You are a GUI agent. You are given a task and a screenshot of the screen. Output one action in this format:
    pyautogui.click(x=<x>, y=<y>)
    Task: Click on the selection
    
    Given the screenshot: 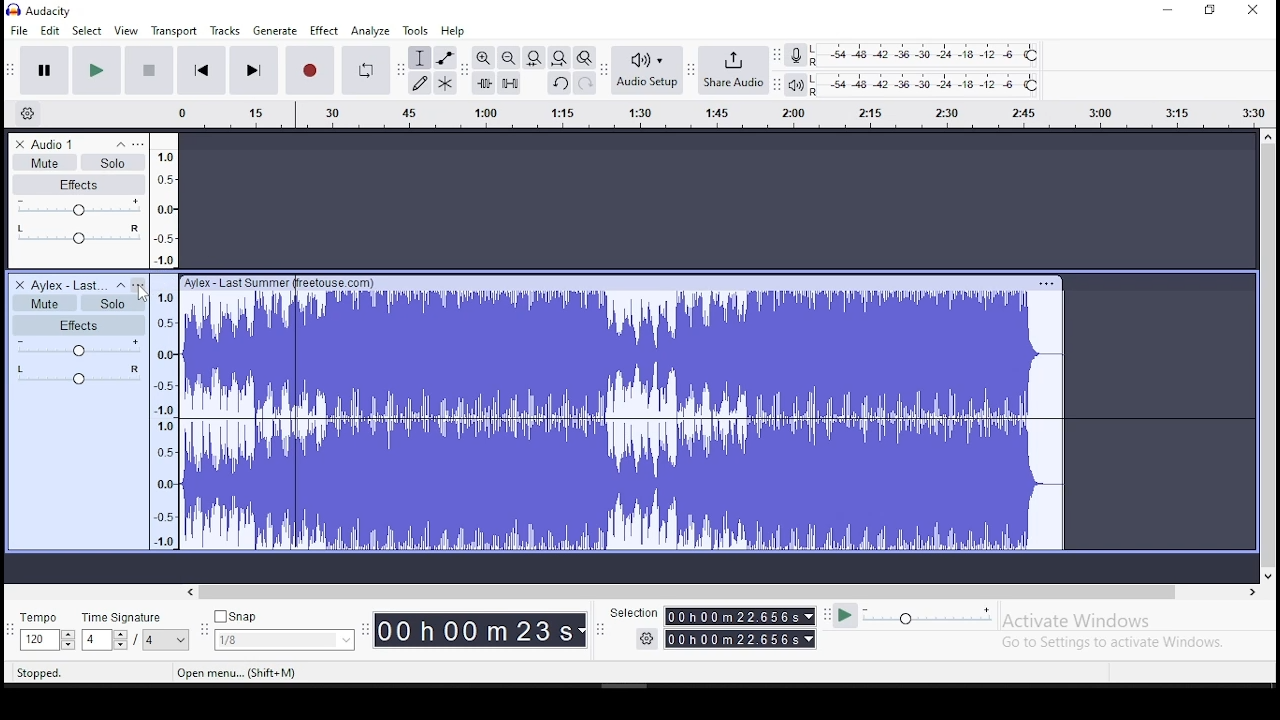 What is the action you would take?
    pyautogui.click(x=740, y=628)
    